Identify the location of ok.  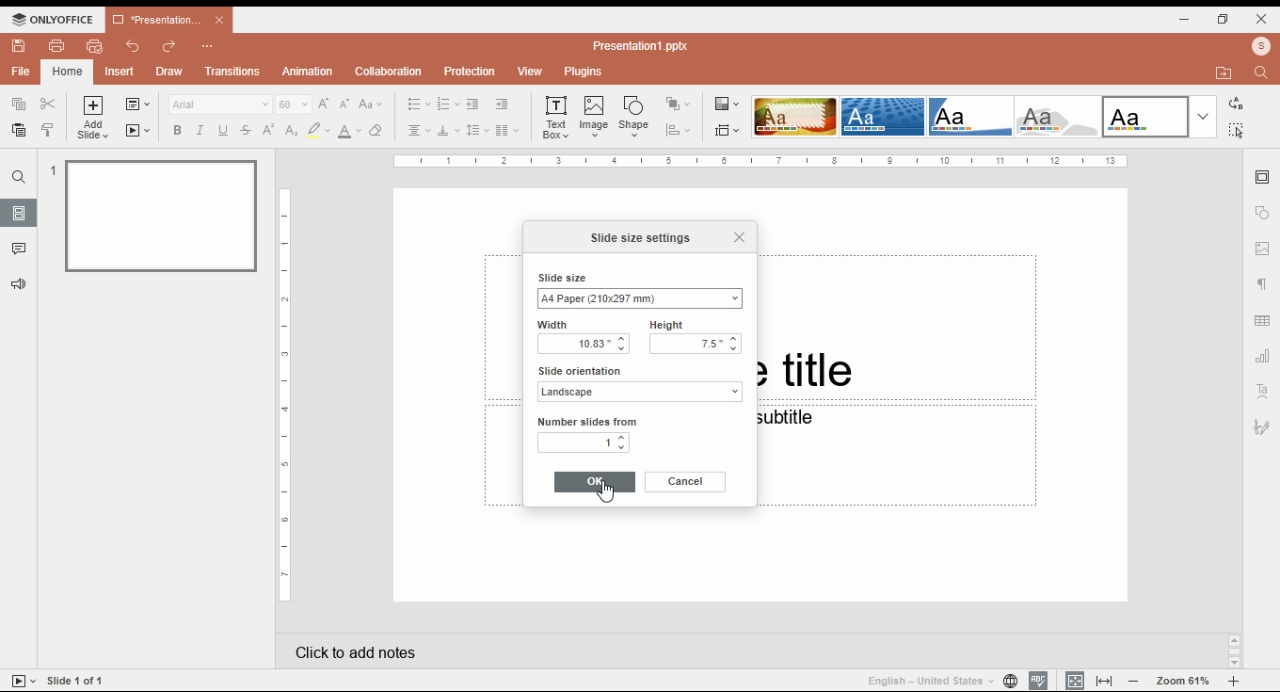
(595, 482).